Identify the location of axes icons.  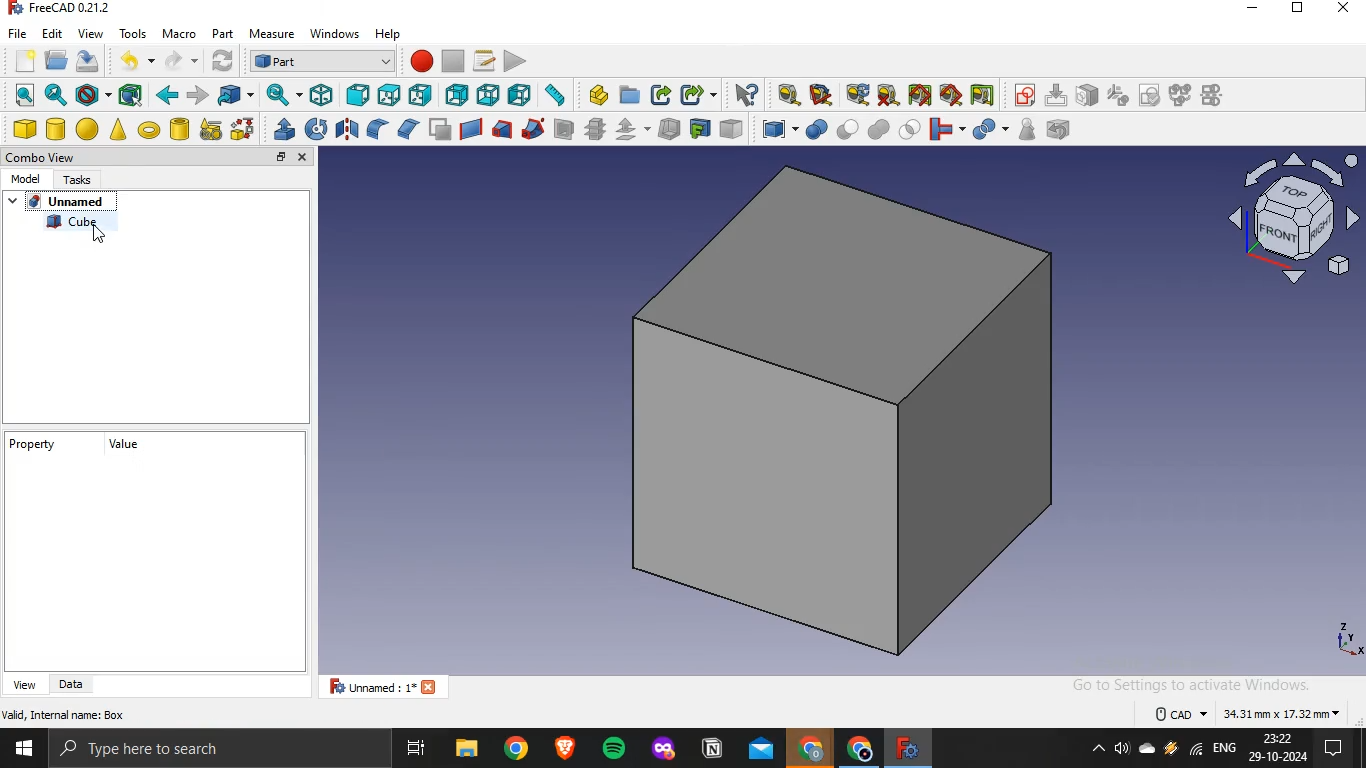
(1347, 638).